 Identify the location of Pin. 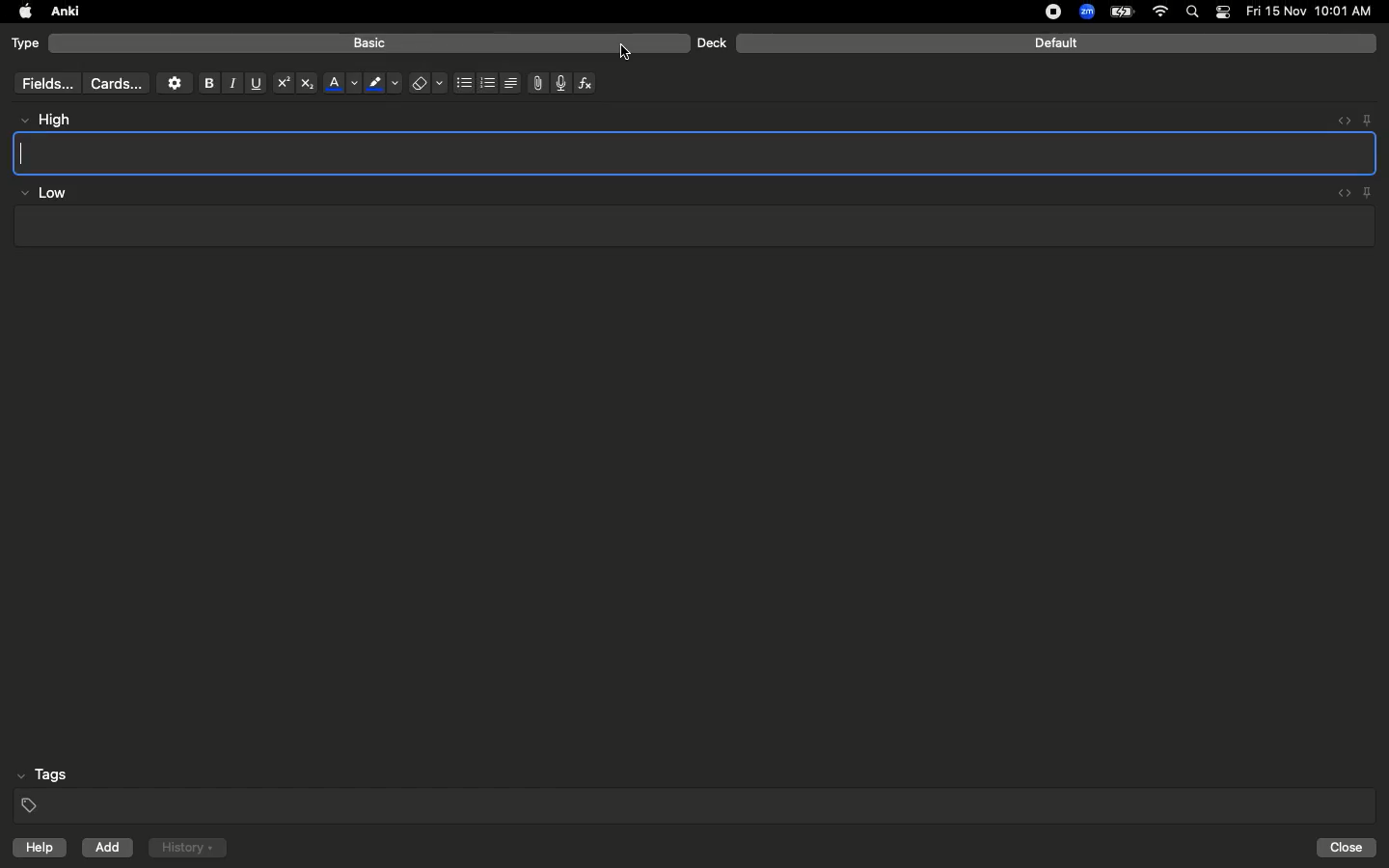
(1369, 192).